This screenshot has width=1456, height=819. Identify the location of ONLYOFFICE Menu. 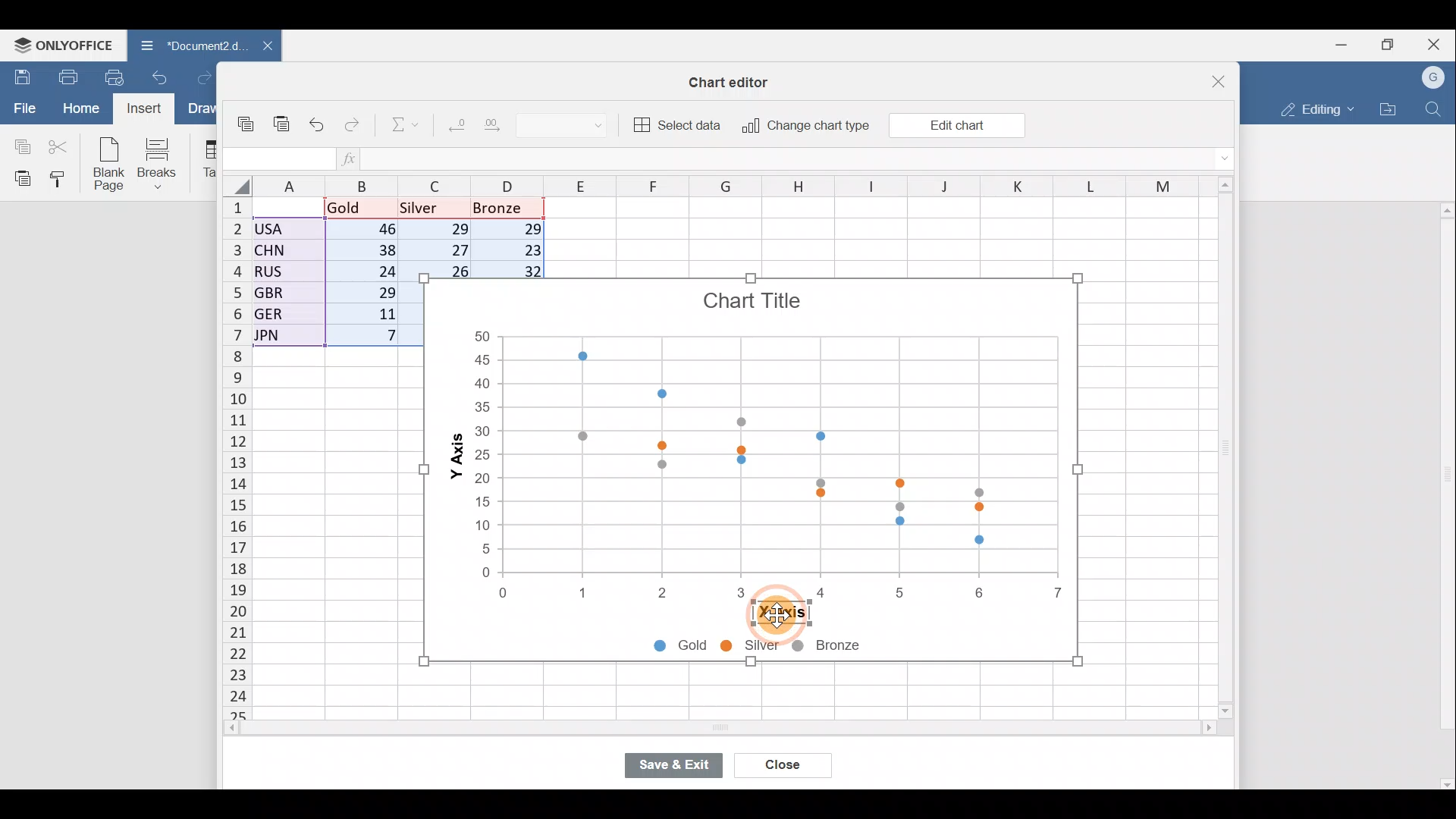
(62, 45).